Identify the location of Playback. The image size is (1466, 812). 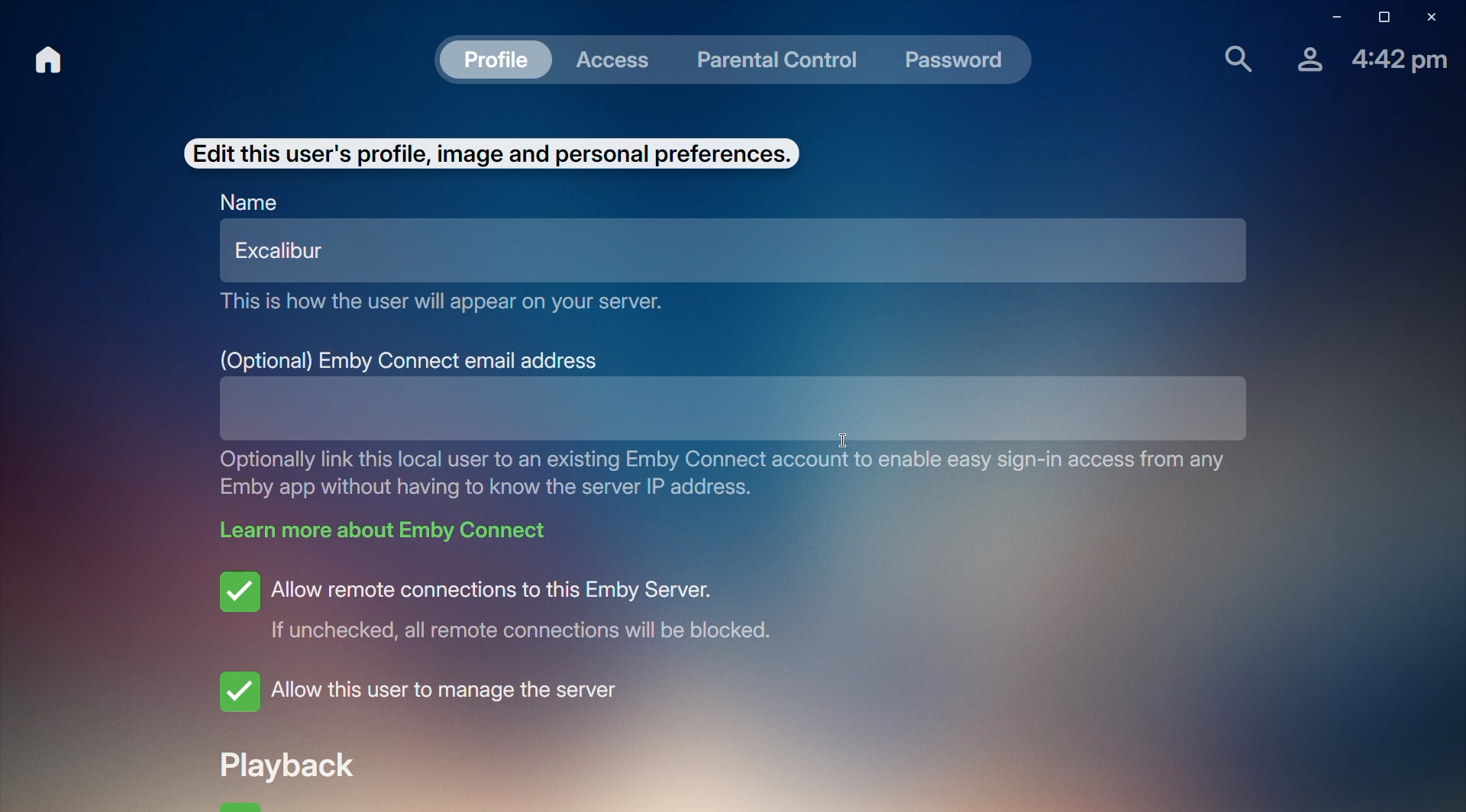
(299, 763).